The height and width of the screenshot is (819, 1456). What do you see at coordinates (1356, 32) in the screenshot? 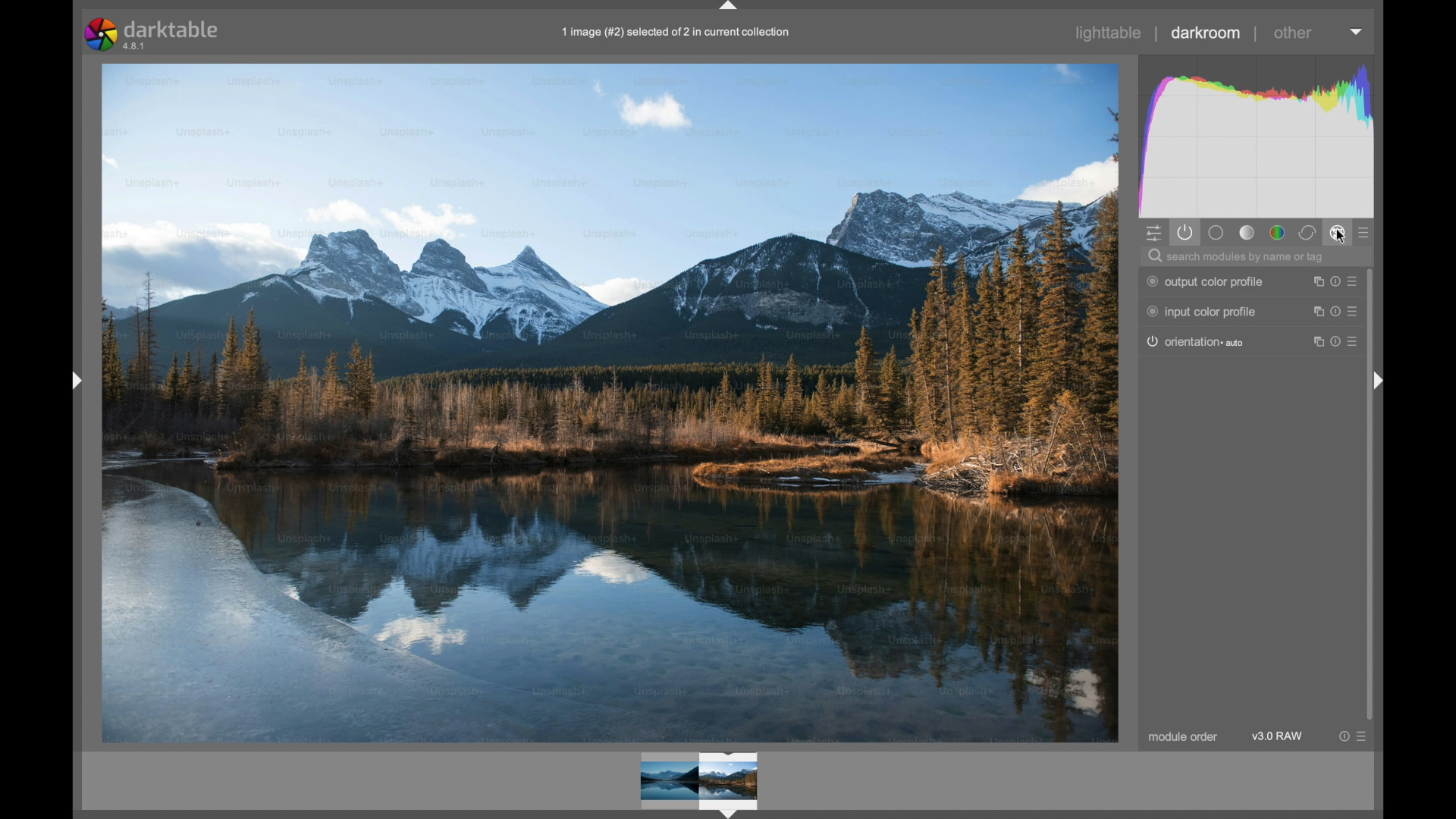
I see `dropdown` at bounding box center [1356, 32].